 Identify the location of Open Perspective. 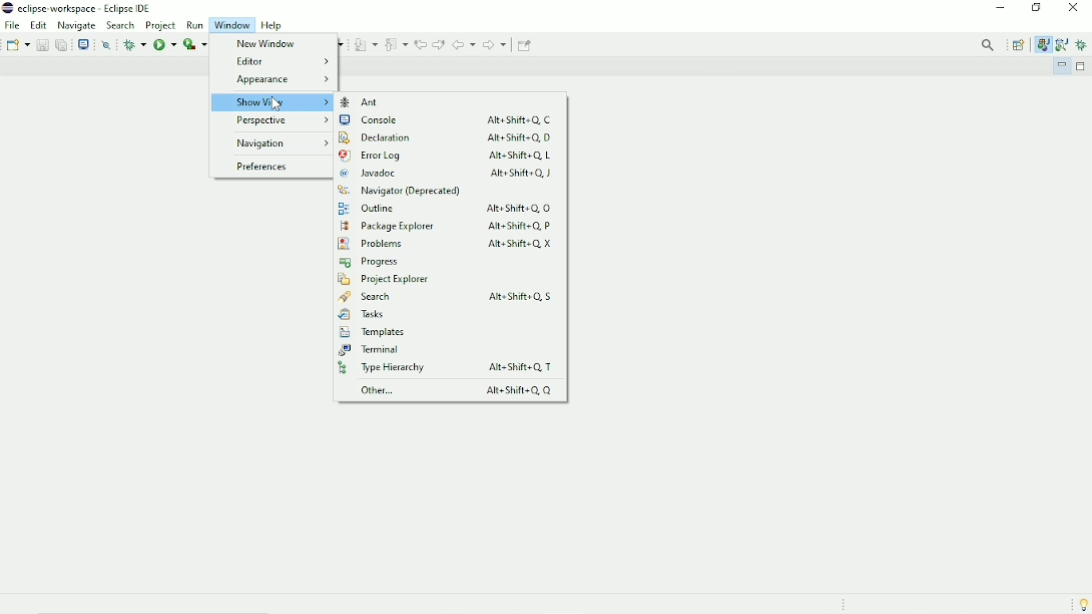
(1018, 45).